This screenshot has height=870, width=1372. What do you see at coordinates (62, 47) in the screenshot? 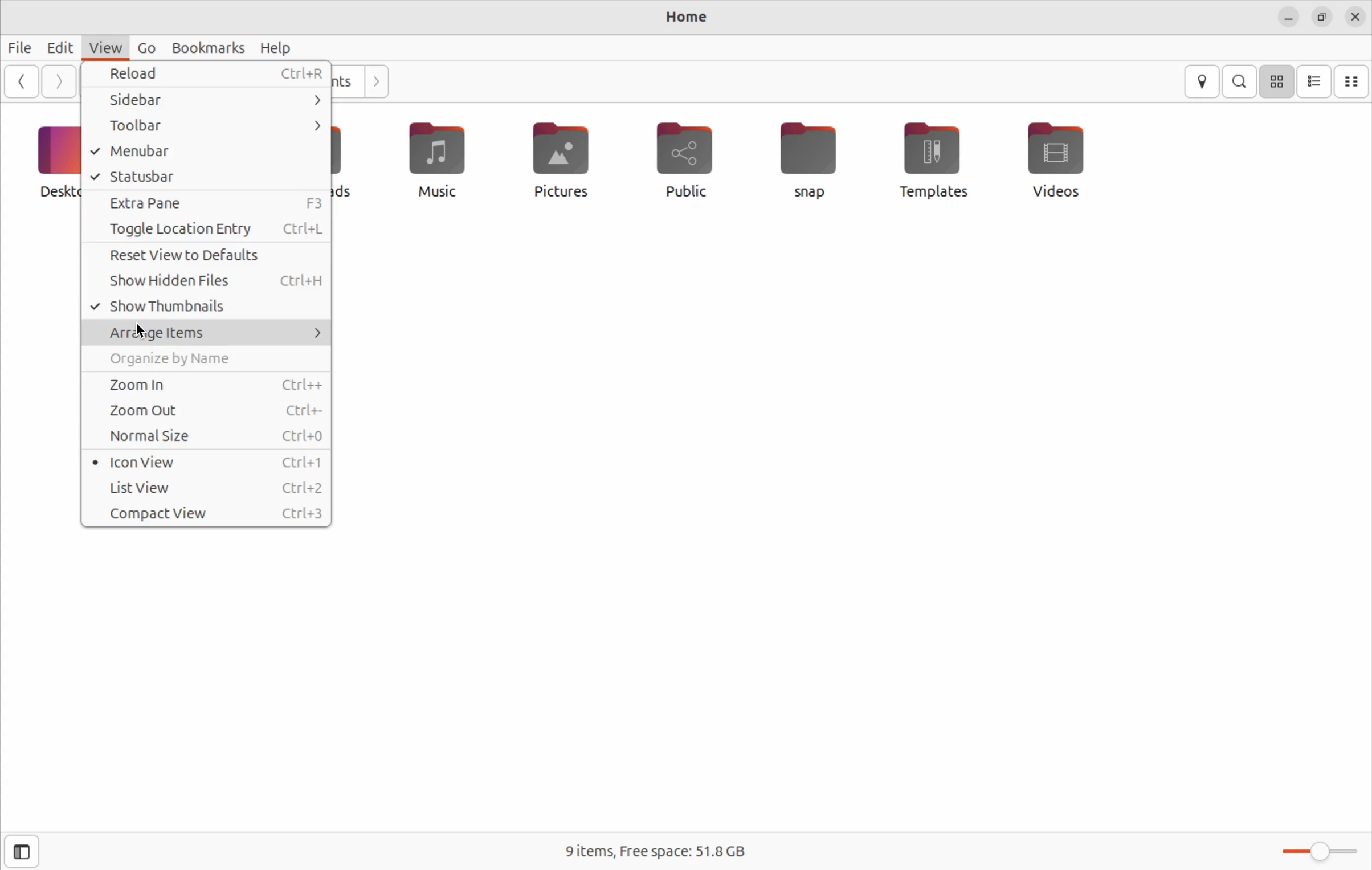
I see `edit` at bounding box center [62, 47].